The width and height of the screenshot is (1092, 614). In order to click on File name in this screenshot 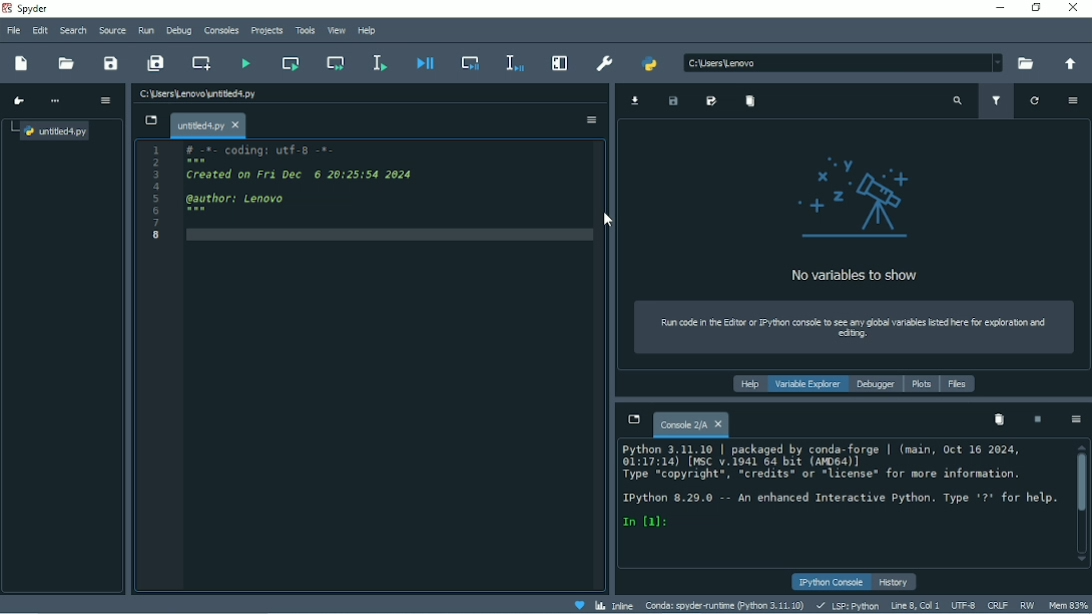, I will do `click(52, 131)`.